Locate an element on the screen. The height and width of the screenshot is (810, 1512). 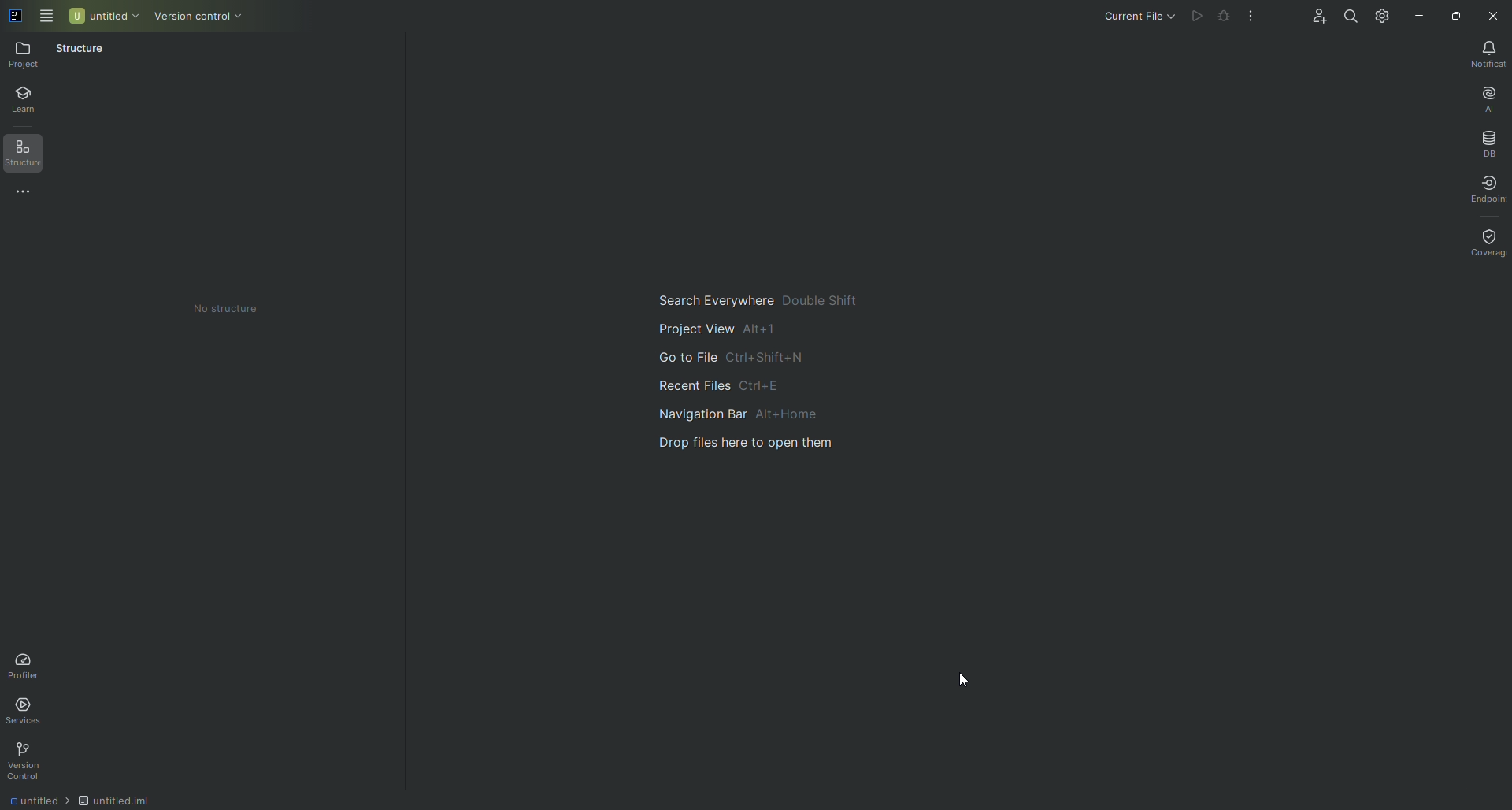
Services is located at coordinates (28, 708).